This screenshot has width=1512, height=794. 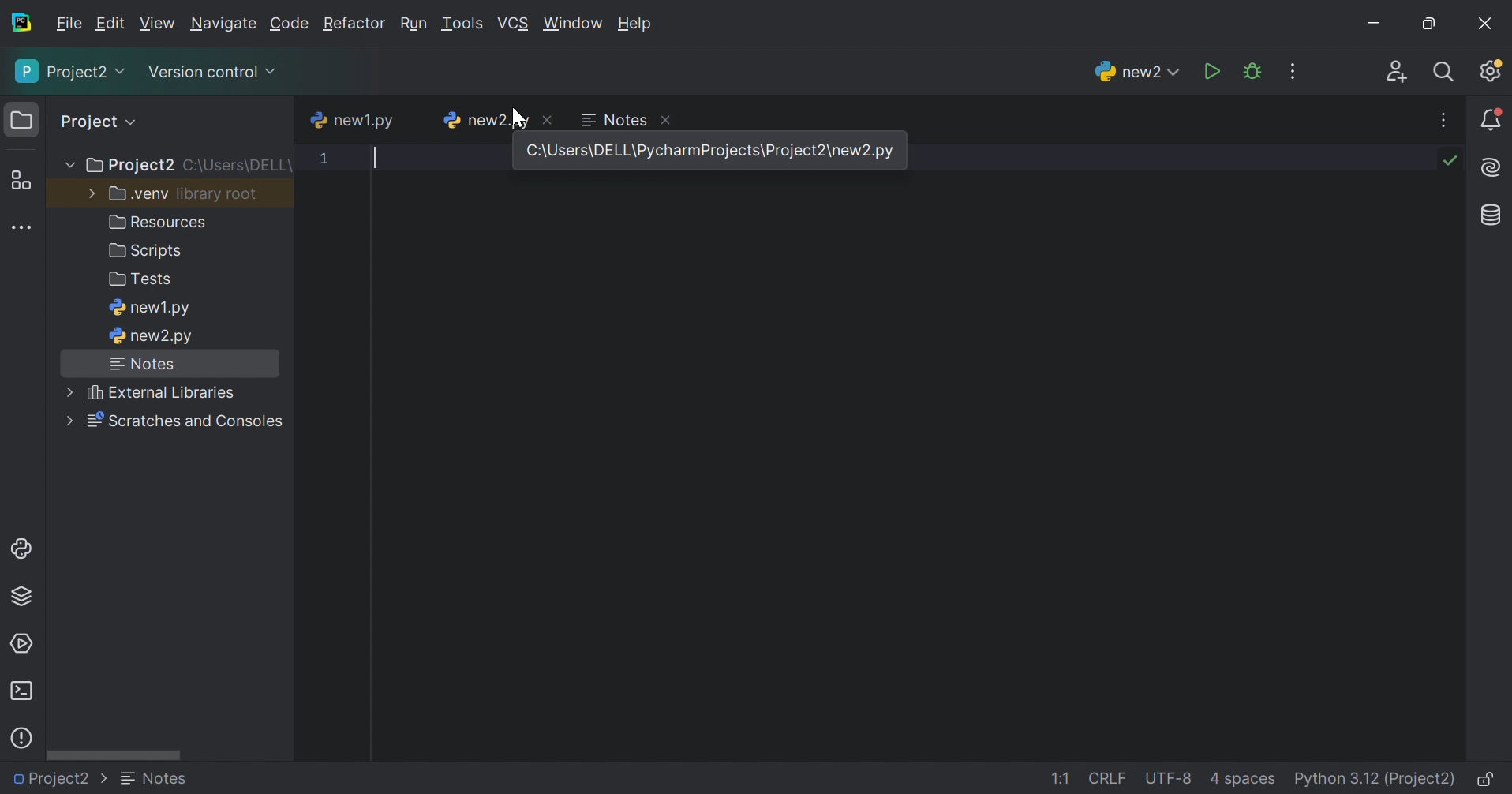 What do you see at coordinates (223, 25) in the screenshot?
I see `Navigate` at bounding box center [223, 25].